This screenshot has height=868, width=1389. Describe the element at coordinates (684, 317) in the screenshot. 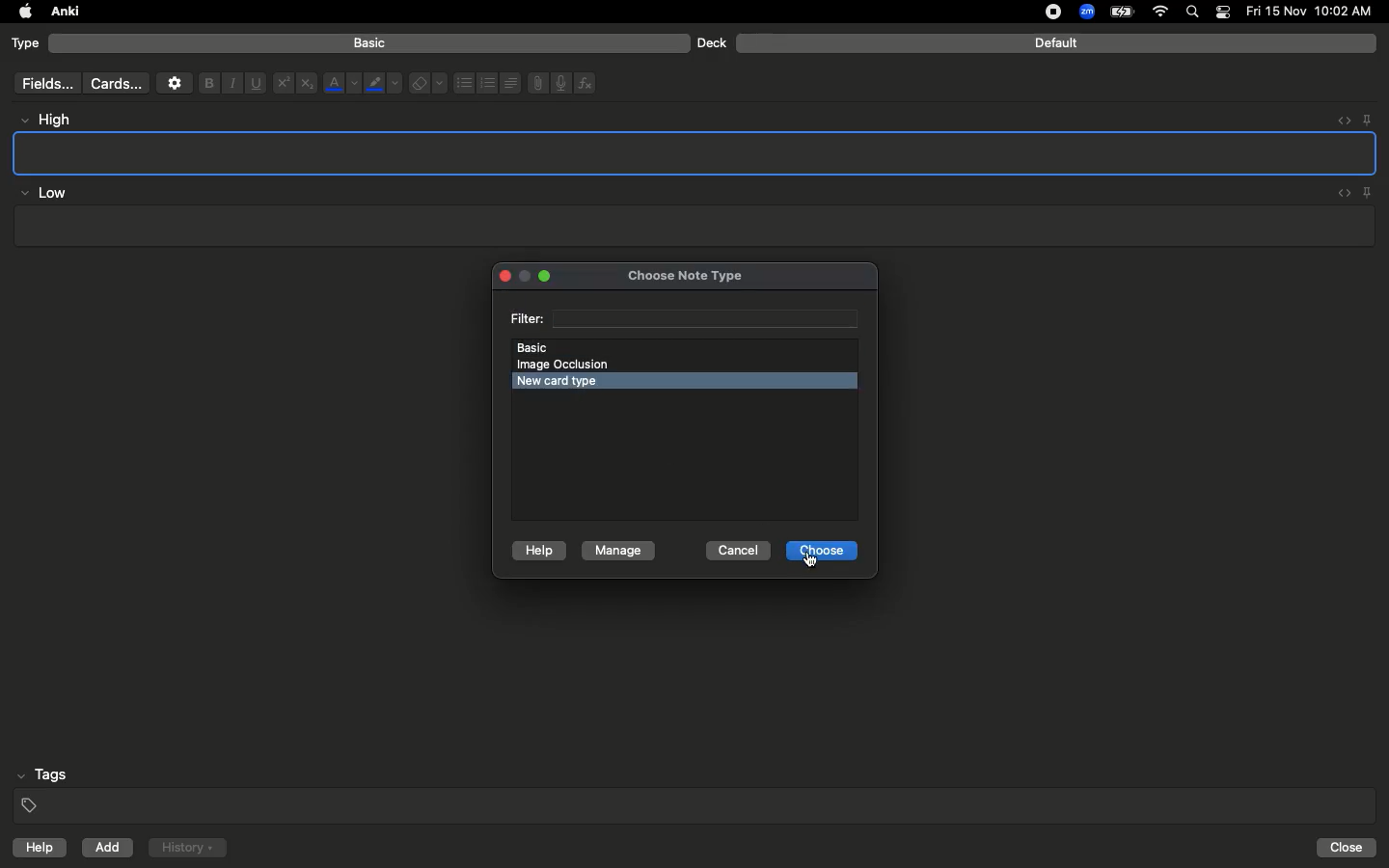

I see `filter` at that location.